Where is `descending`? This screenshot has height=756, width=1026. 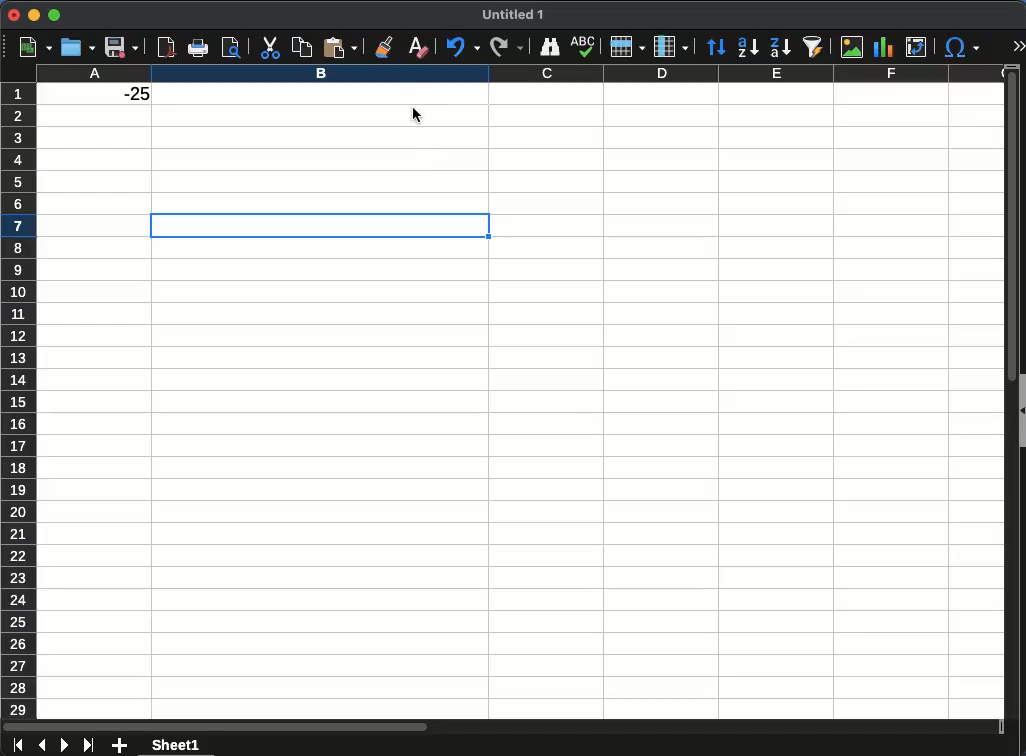
descending is located at coordinates (782, 47).